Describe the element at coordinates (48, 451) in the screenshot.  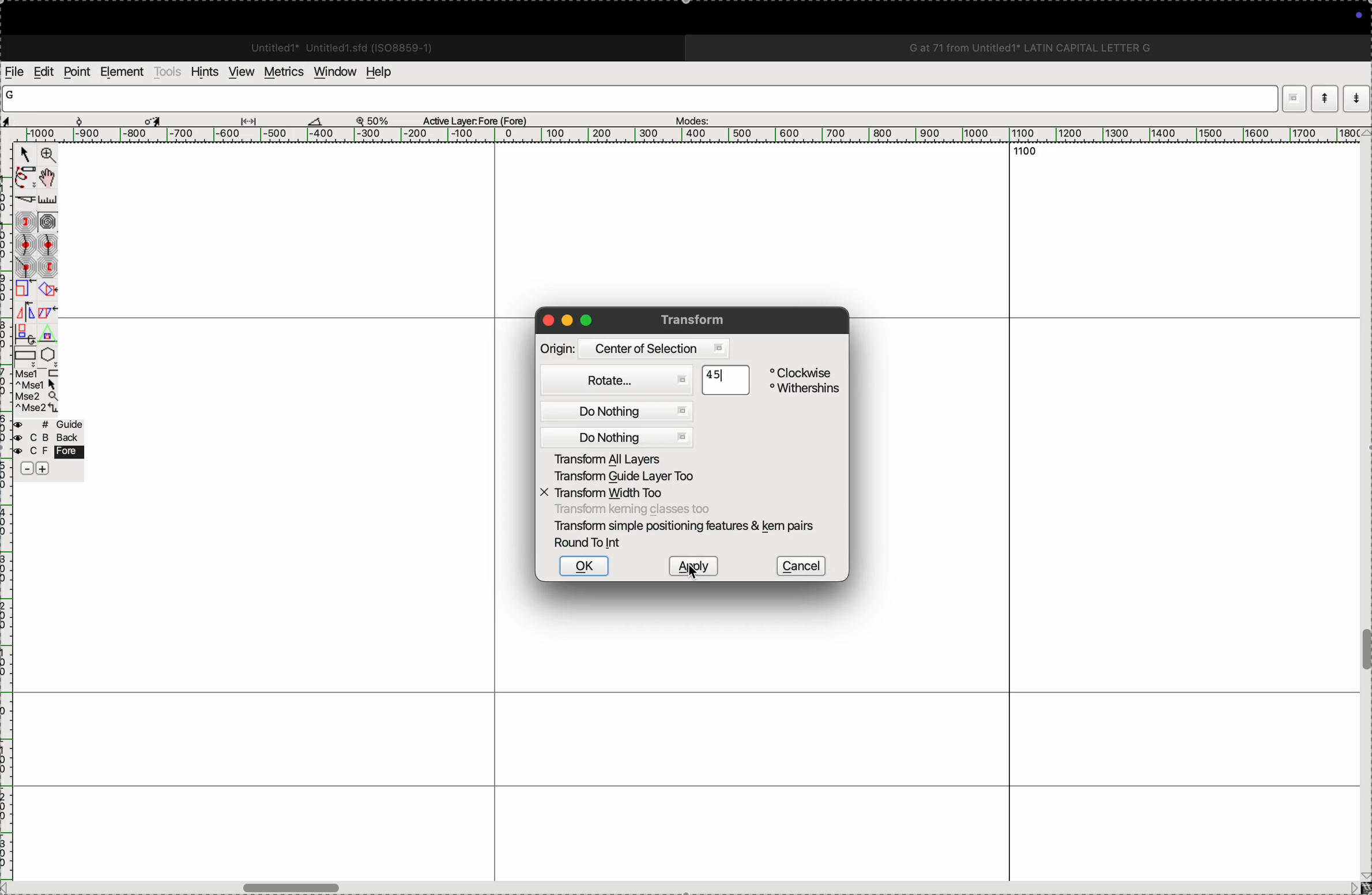
I see `fore layer` at that location.